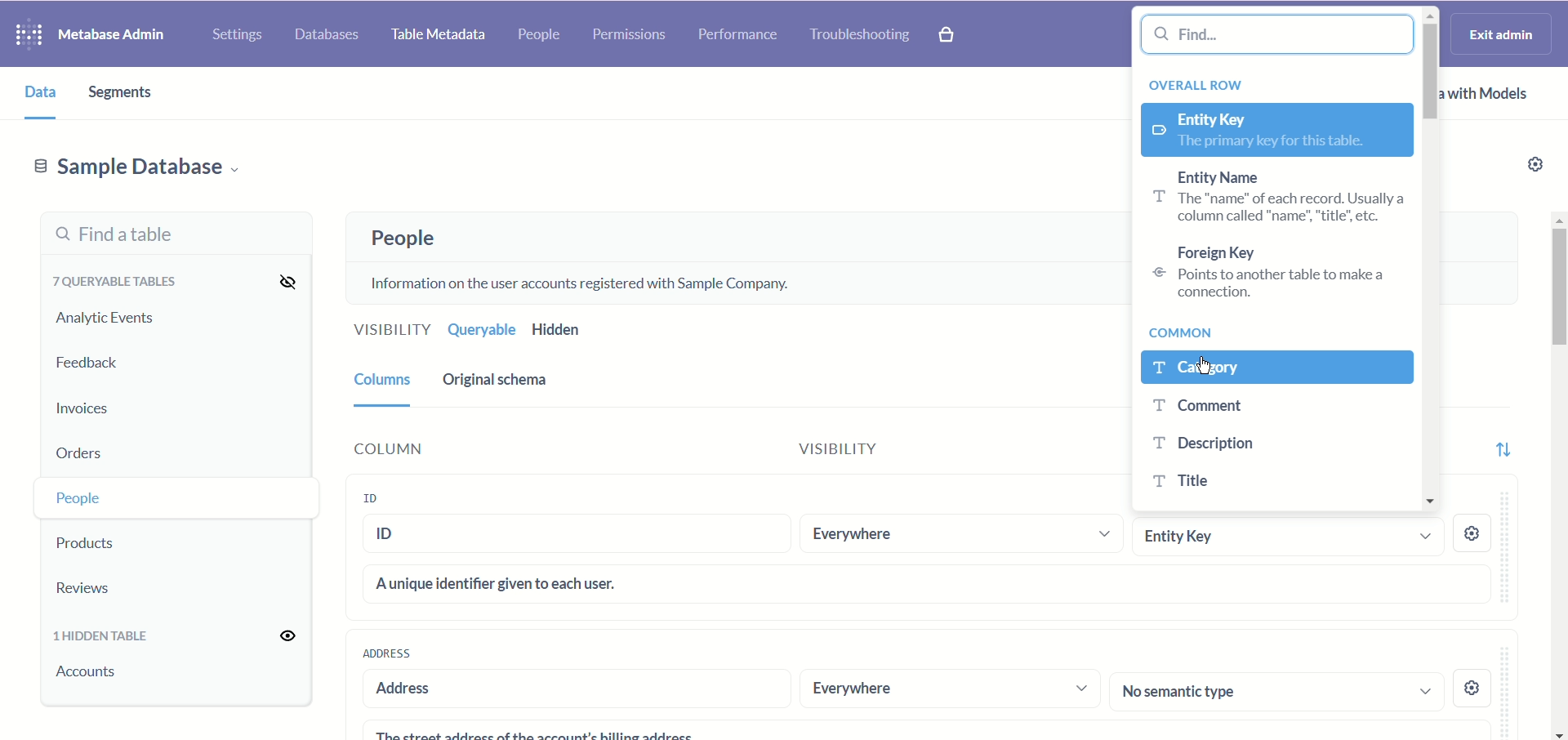  Describe the element at coordinates (282, 280) in the screenshot. I see `Hide` at that location.